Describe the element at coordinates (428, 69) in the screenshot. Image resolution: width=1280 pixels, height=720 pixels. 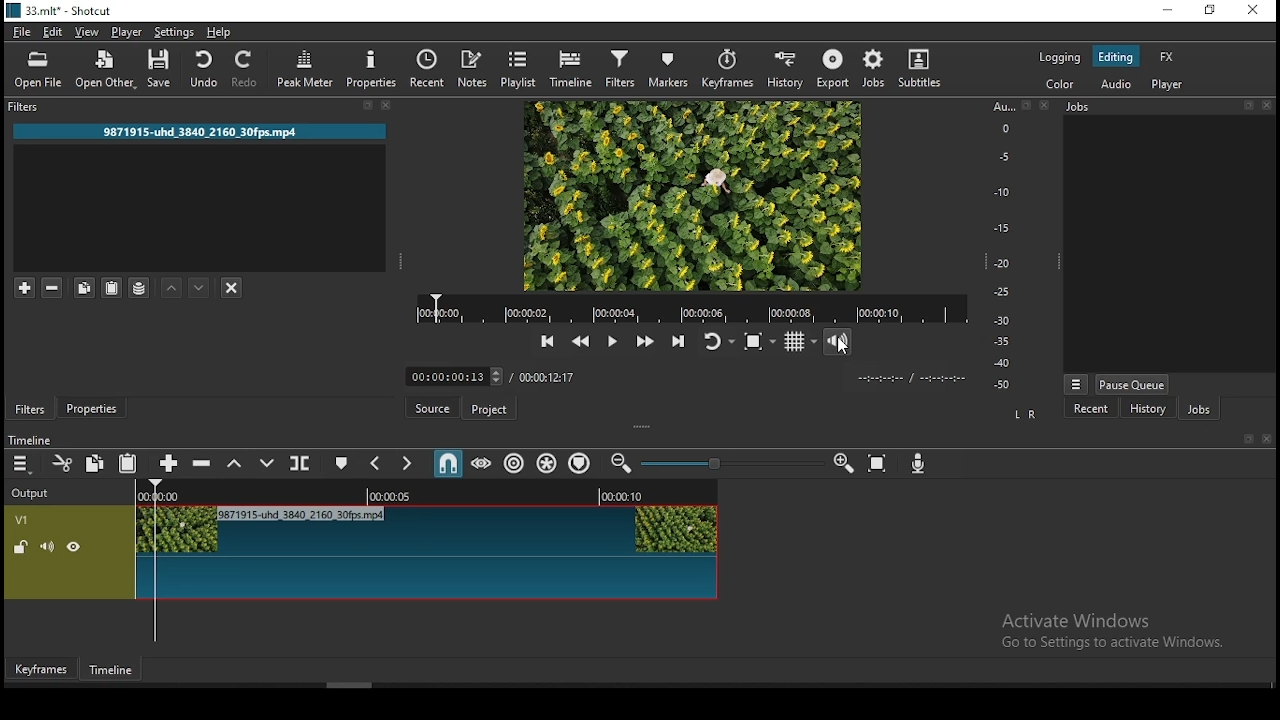
I see `split at playhead` at that location.